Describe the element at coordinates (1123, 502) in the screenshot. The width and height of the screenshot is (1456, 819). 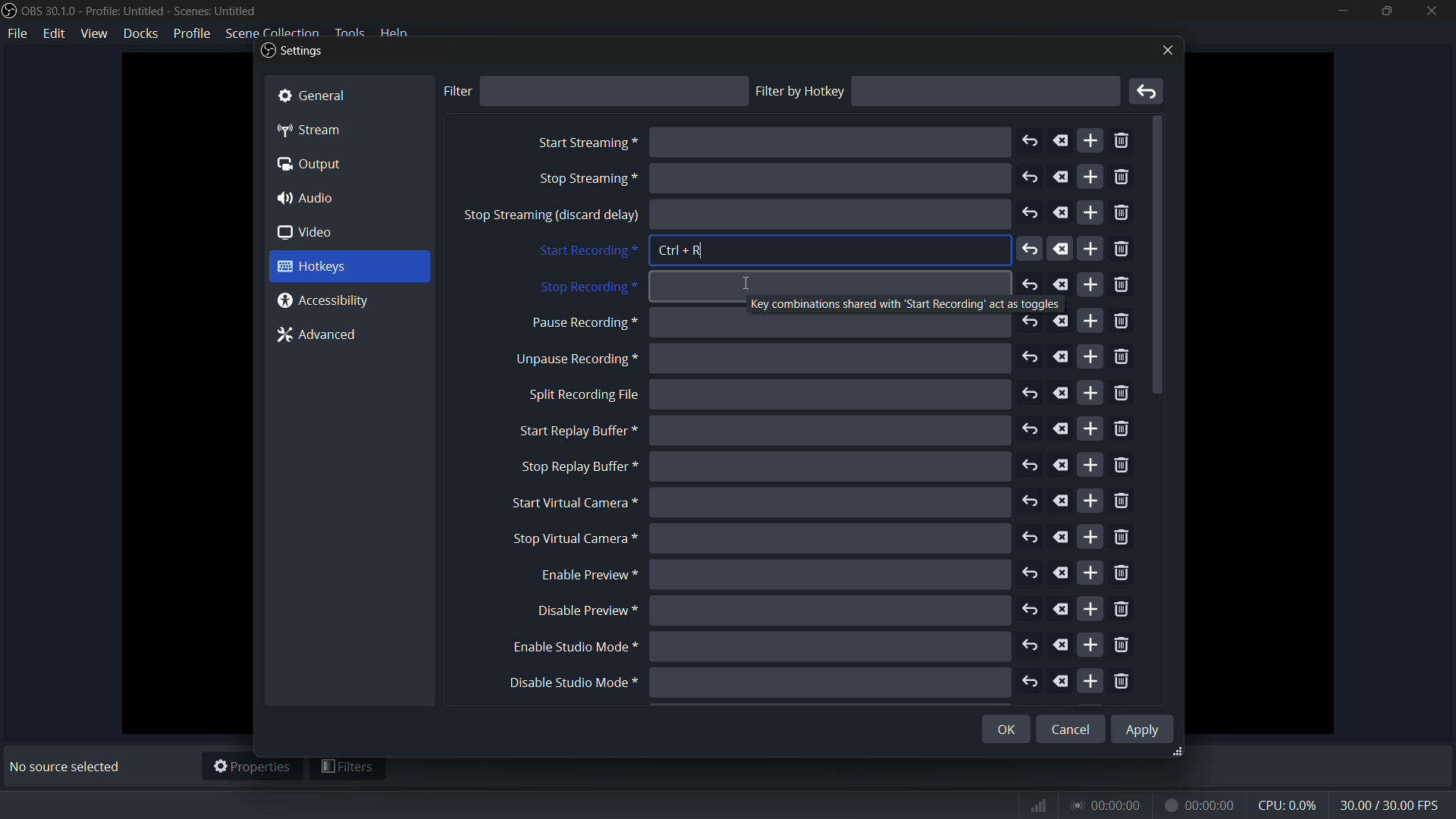
I see `remove` at that location.